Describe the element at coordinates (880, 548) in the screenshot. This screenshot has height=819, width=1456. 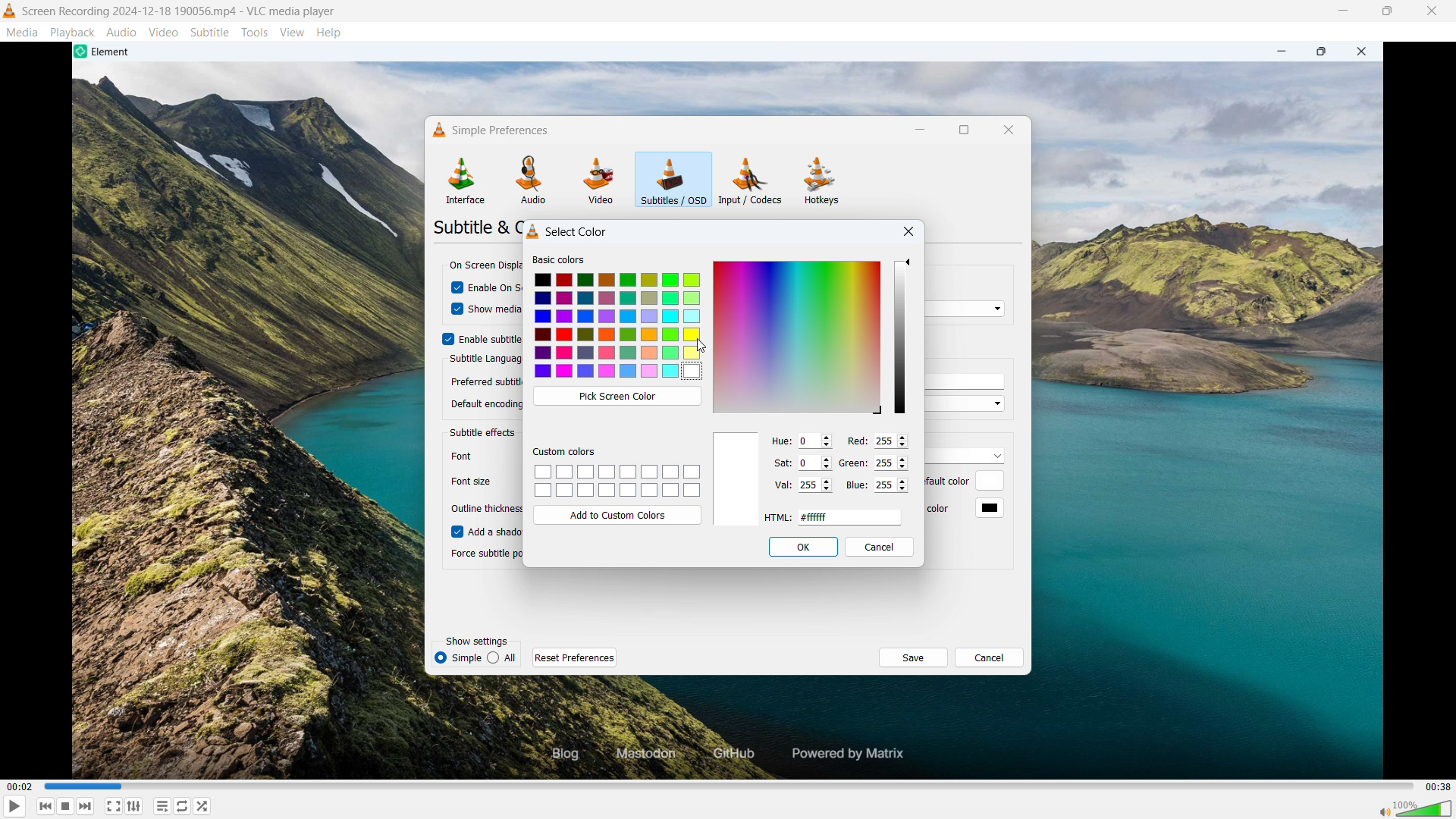
I see `Cancel ` at that location.